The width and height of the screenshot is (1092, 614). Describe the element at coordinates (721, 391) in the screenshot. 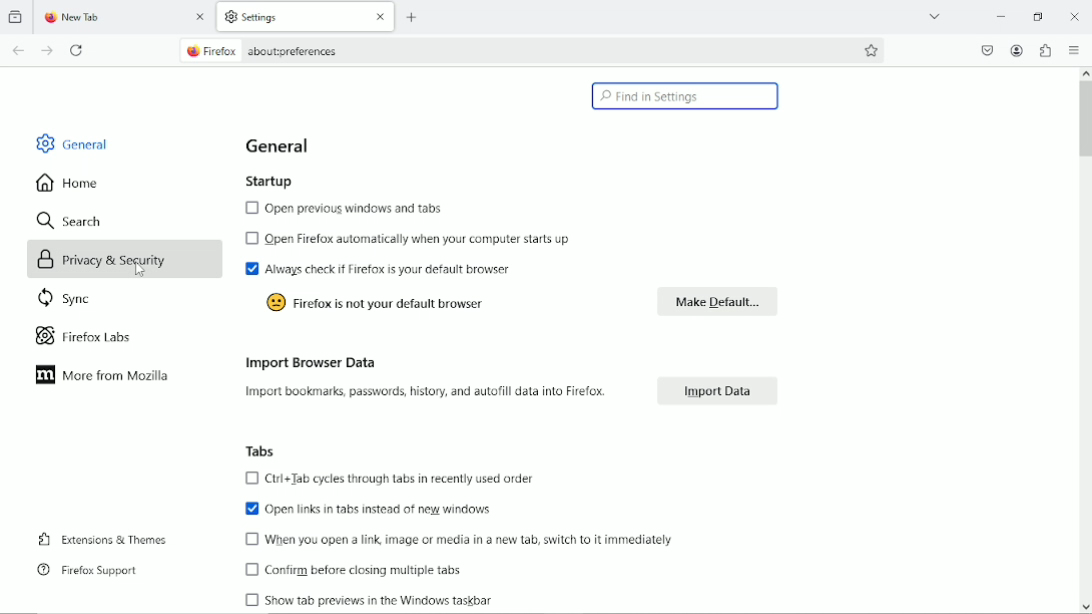

I see `import data` at that location.